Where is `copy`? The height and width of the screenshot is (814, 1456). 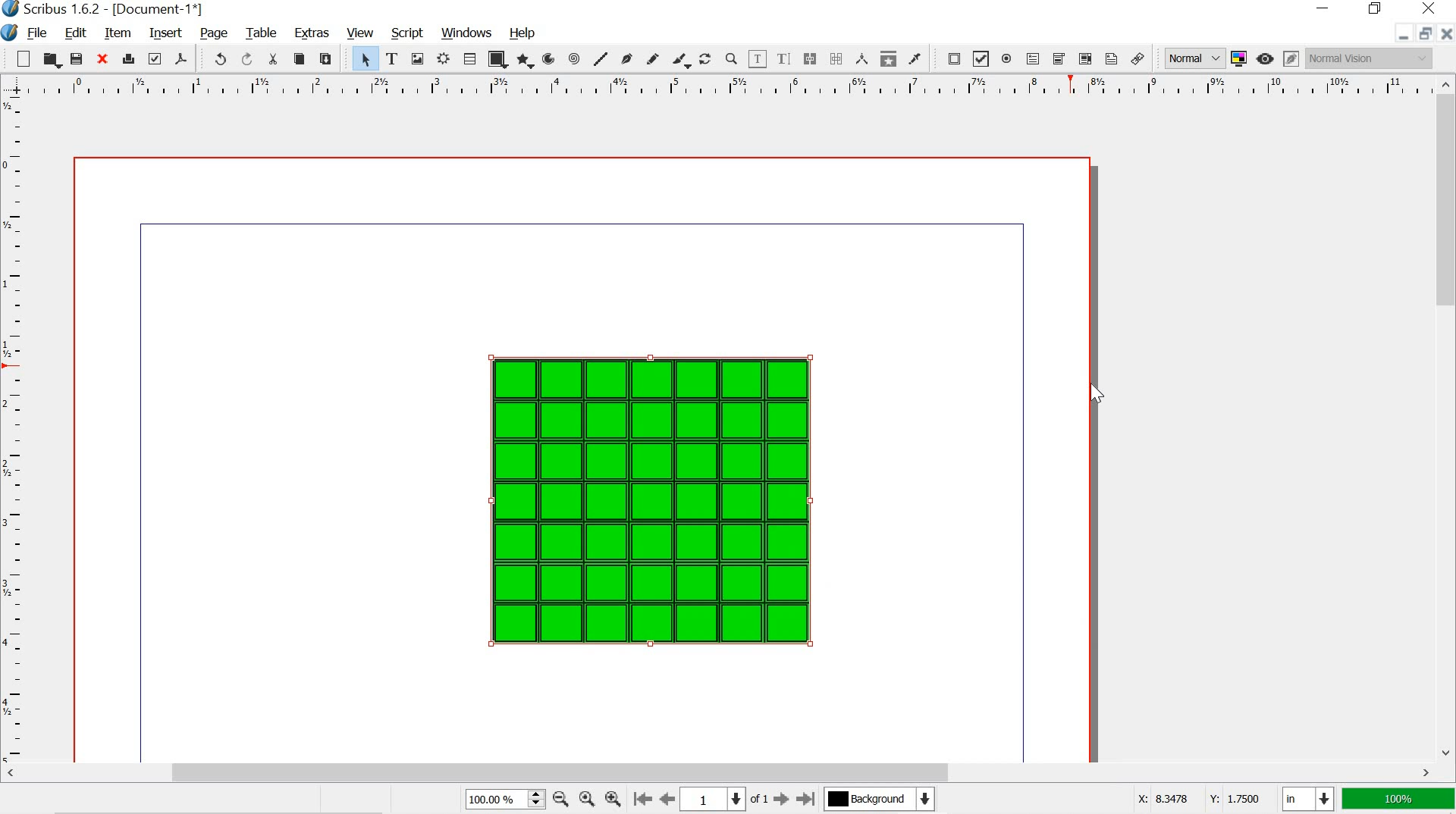 copy is located at coordinates (299, 59).